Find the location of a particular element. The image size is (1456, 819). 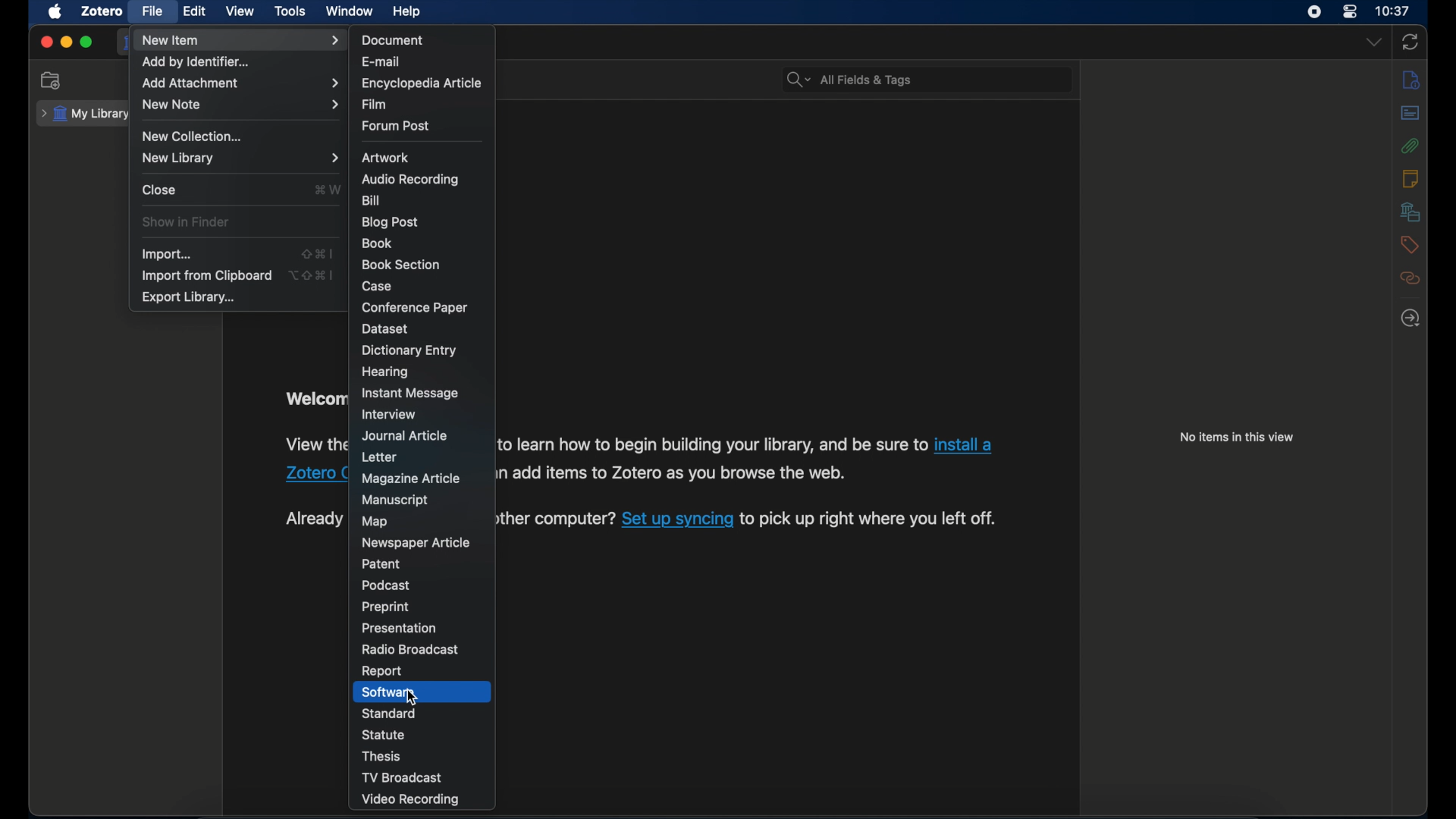

forum post is located at coordinates (397, 125).